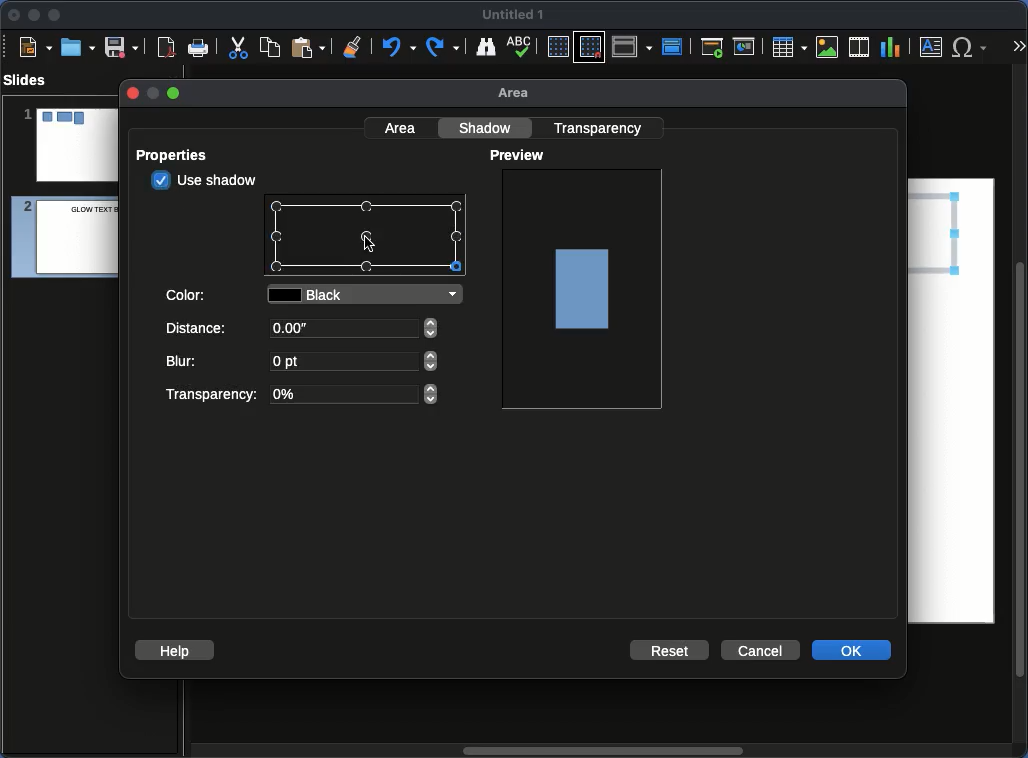  What do you see at coordinates (444, 47) in the screenshot?
I see `Redo` at bounding box center [444, 47].